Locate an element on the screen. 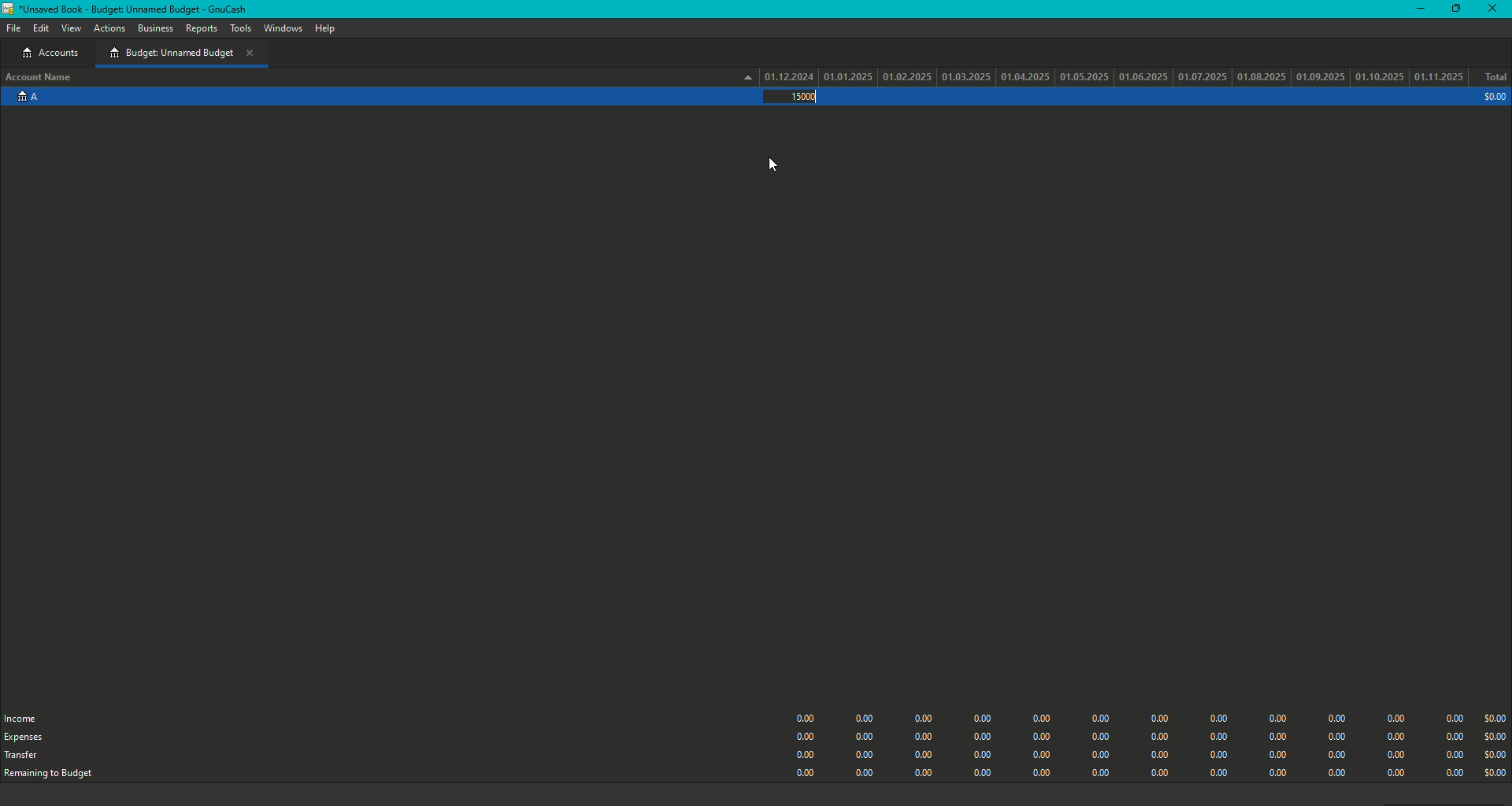 The height and width of the screenshot is (806, 1512). Account A is located at coordinates (25, 100).